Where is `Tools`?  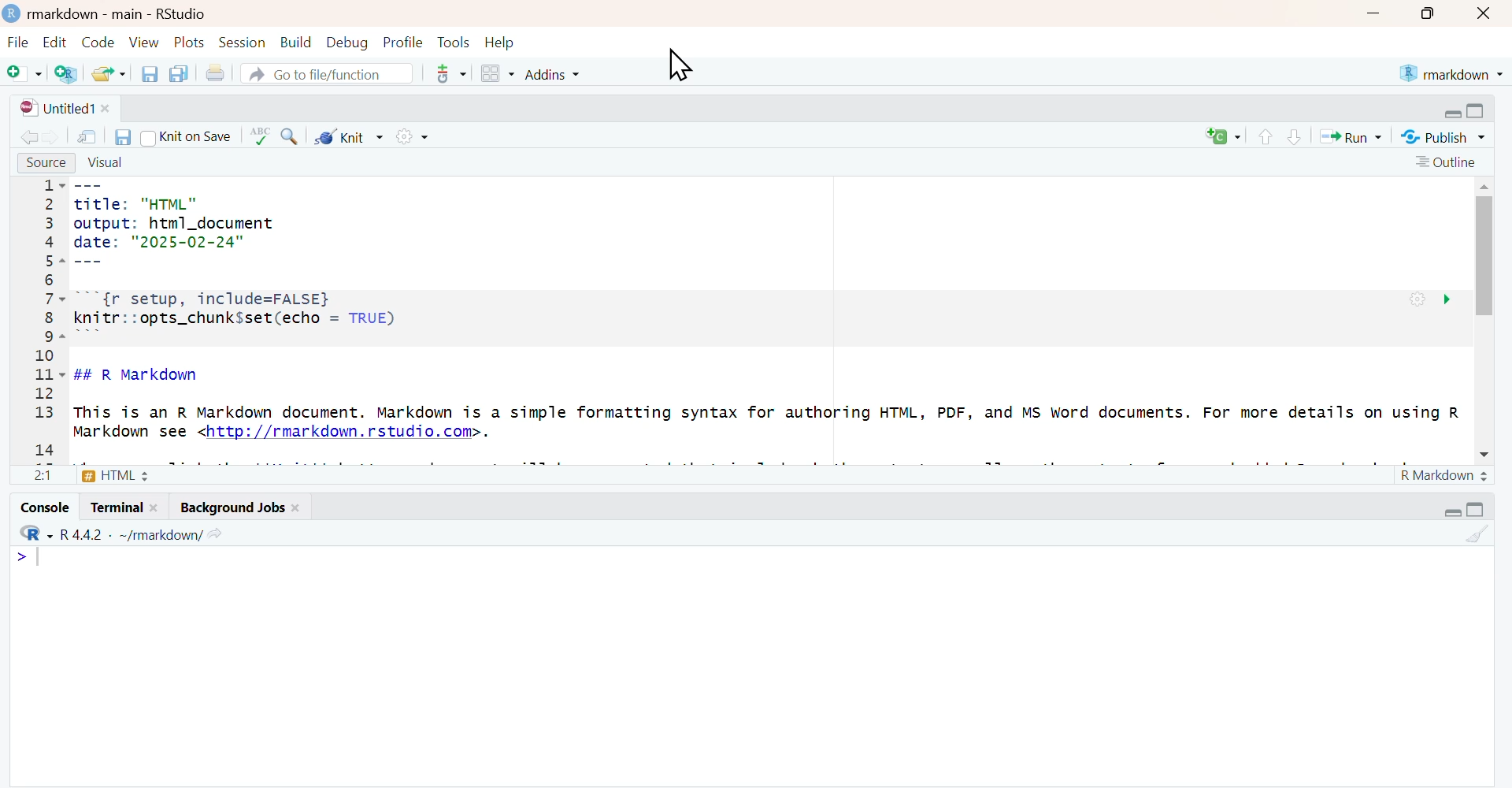
Tools is located at coordinates (454, 43).